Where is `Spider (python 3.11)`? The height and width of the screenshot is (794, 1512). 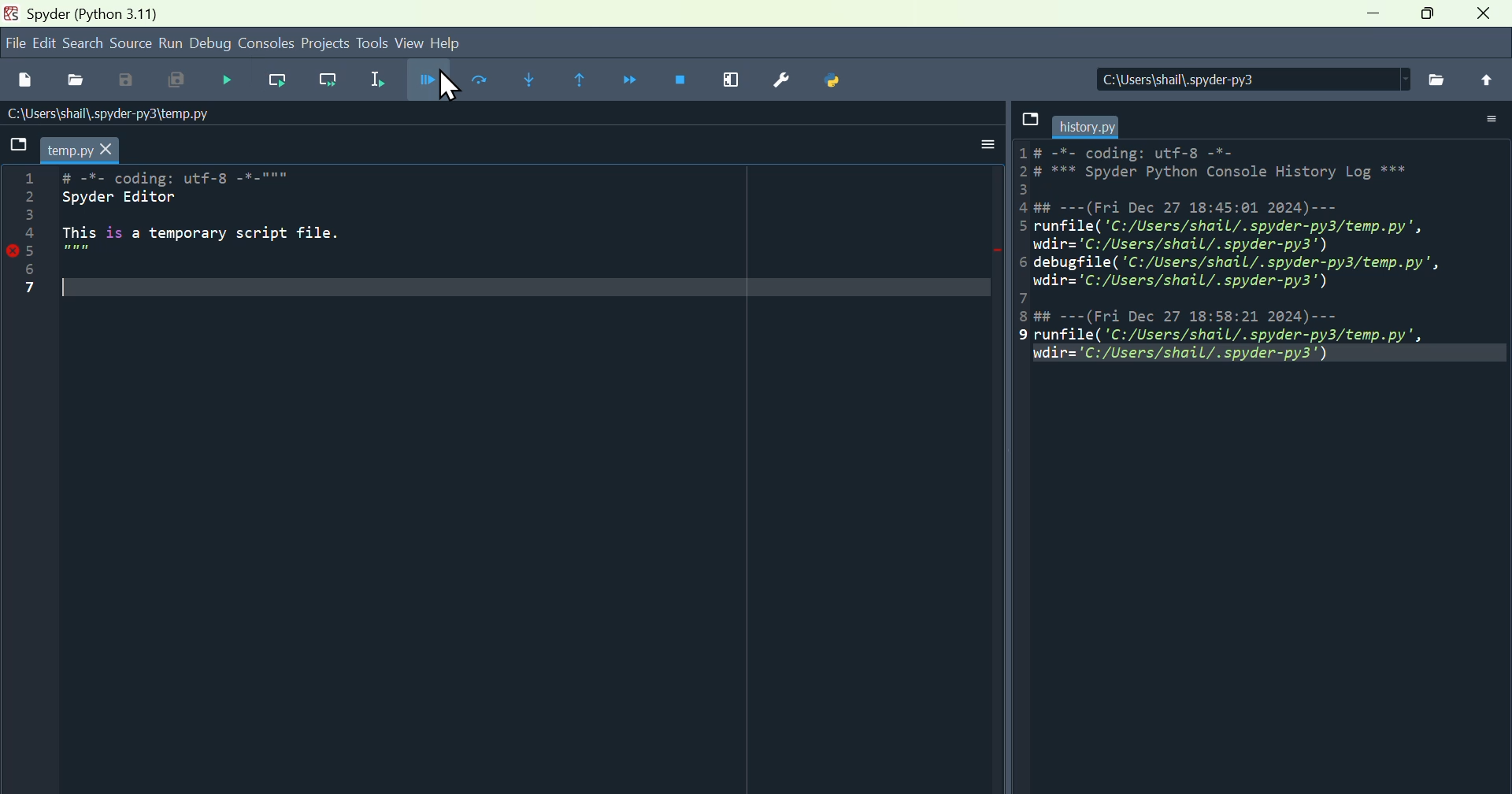 Spider (python 3.11) is located at coordinates (120, 11).